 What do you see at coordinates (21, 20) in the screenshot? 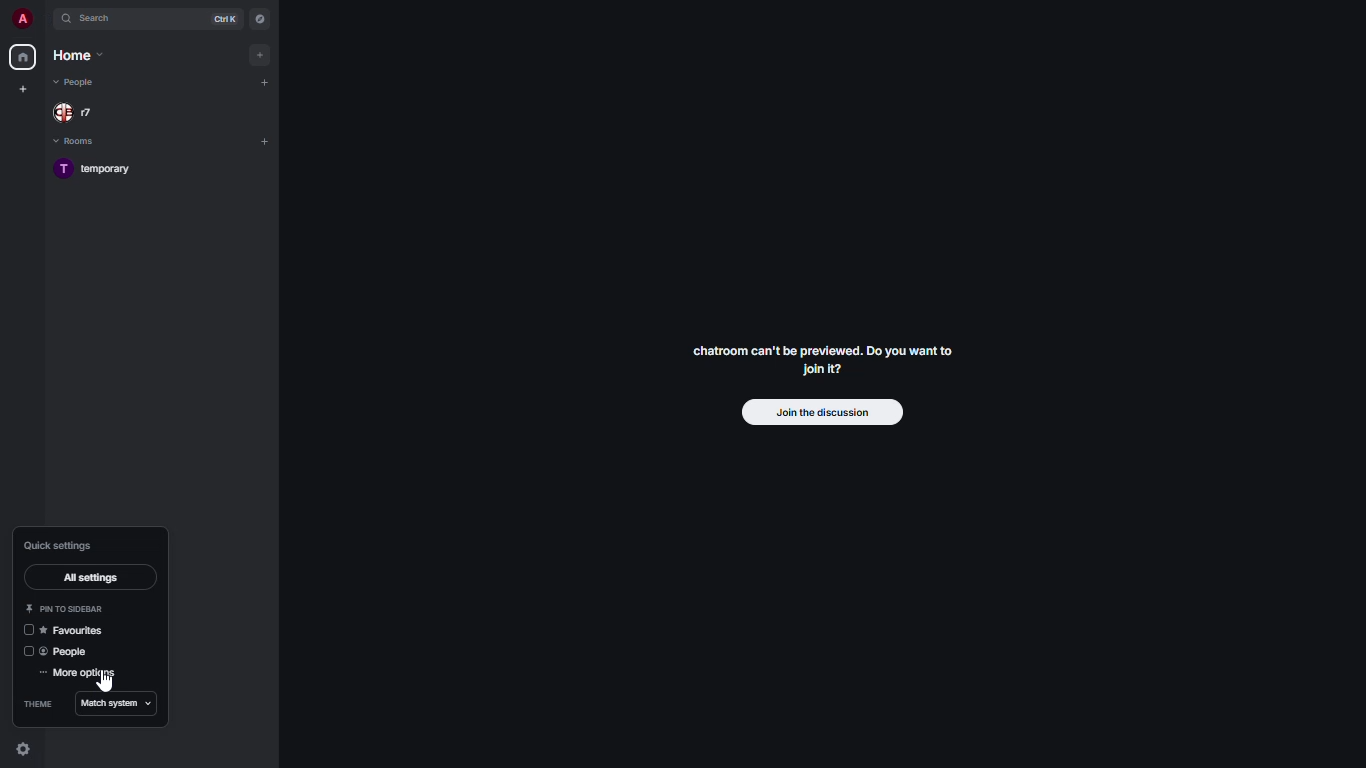
I see `profile` at bounding box center [21, 20].